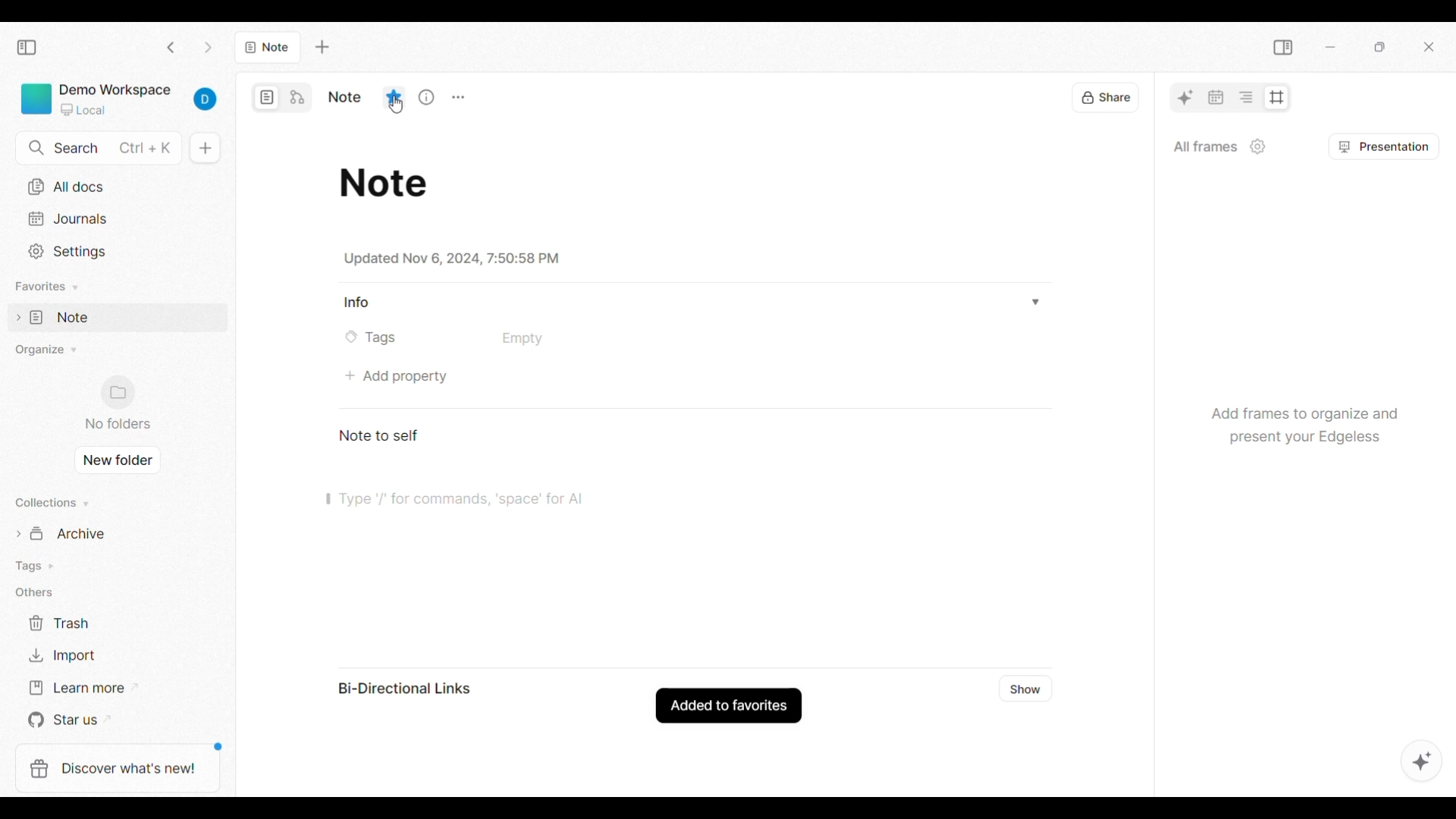 This screenshot has width=1456, height=819. Describe the element at coordinates (116, 463) in the screenshot. I see `Click to add new folder` at that location.